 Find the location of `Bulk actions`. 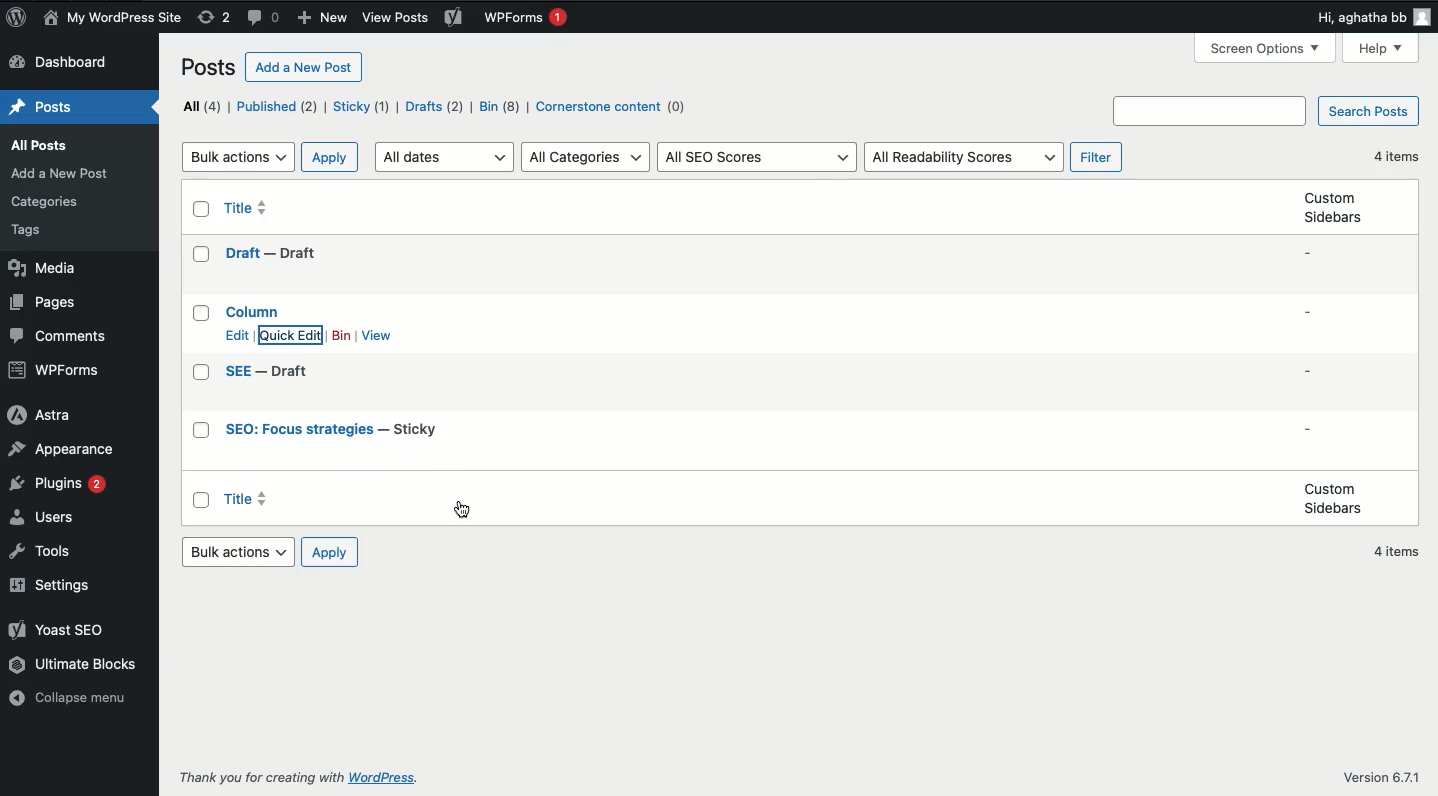

Bulk actions is located at coordinates (238, 156).